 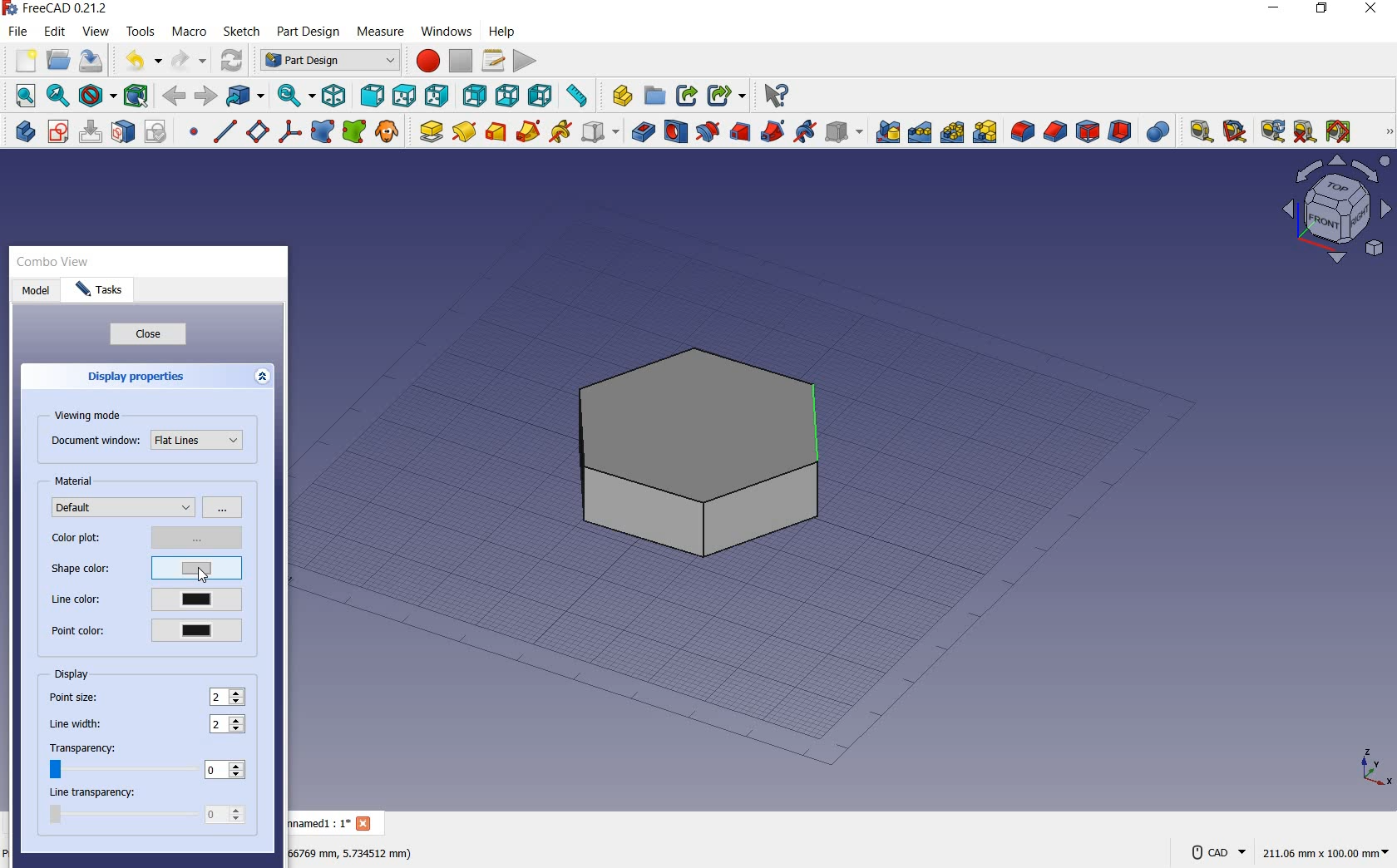 I want to click on measure linear, so click(x=1197, y=133).